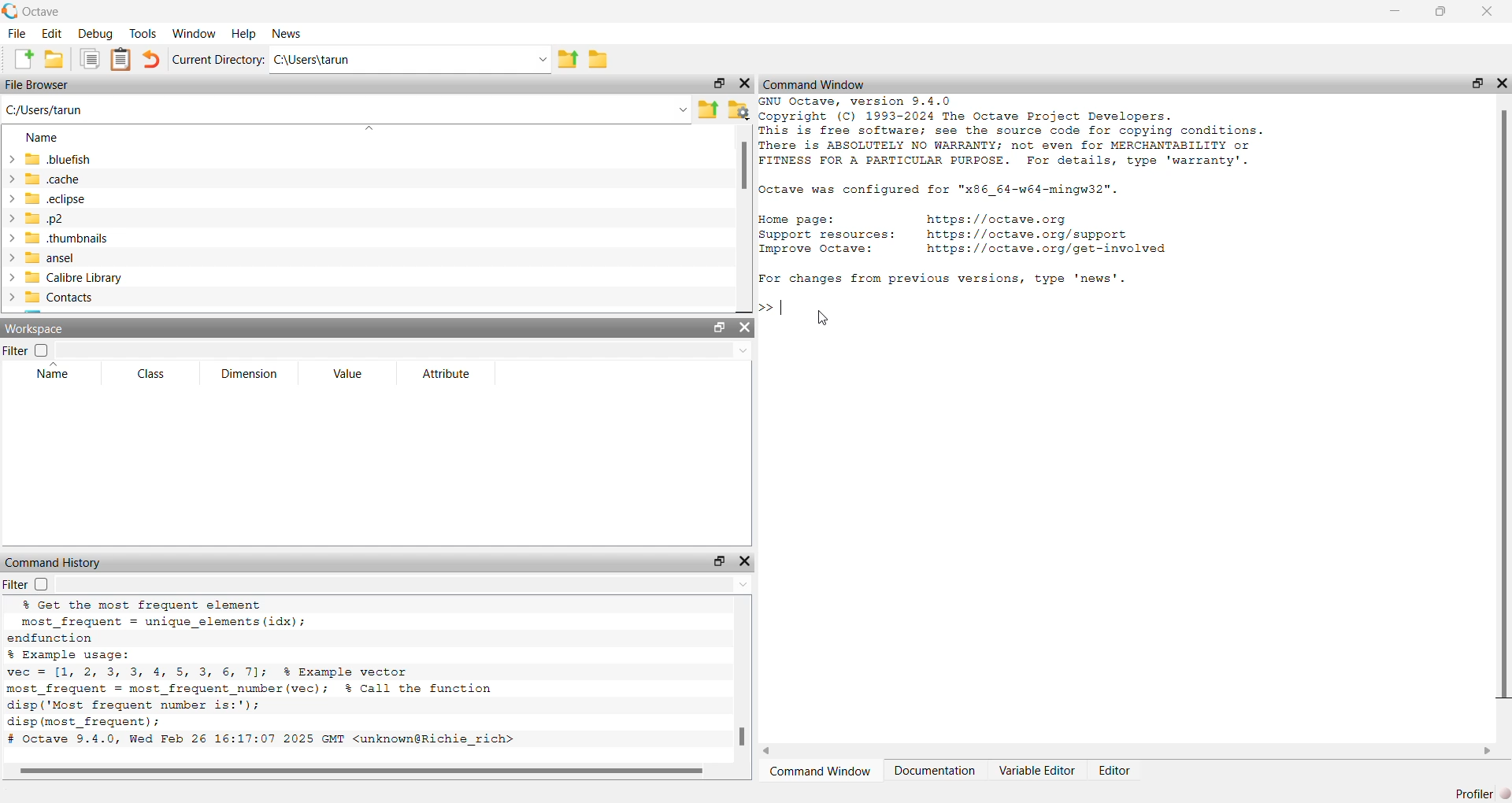  Describe the element at coordinates (52, 257) in the screenshot. I see `ansel` at that location.